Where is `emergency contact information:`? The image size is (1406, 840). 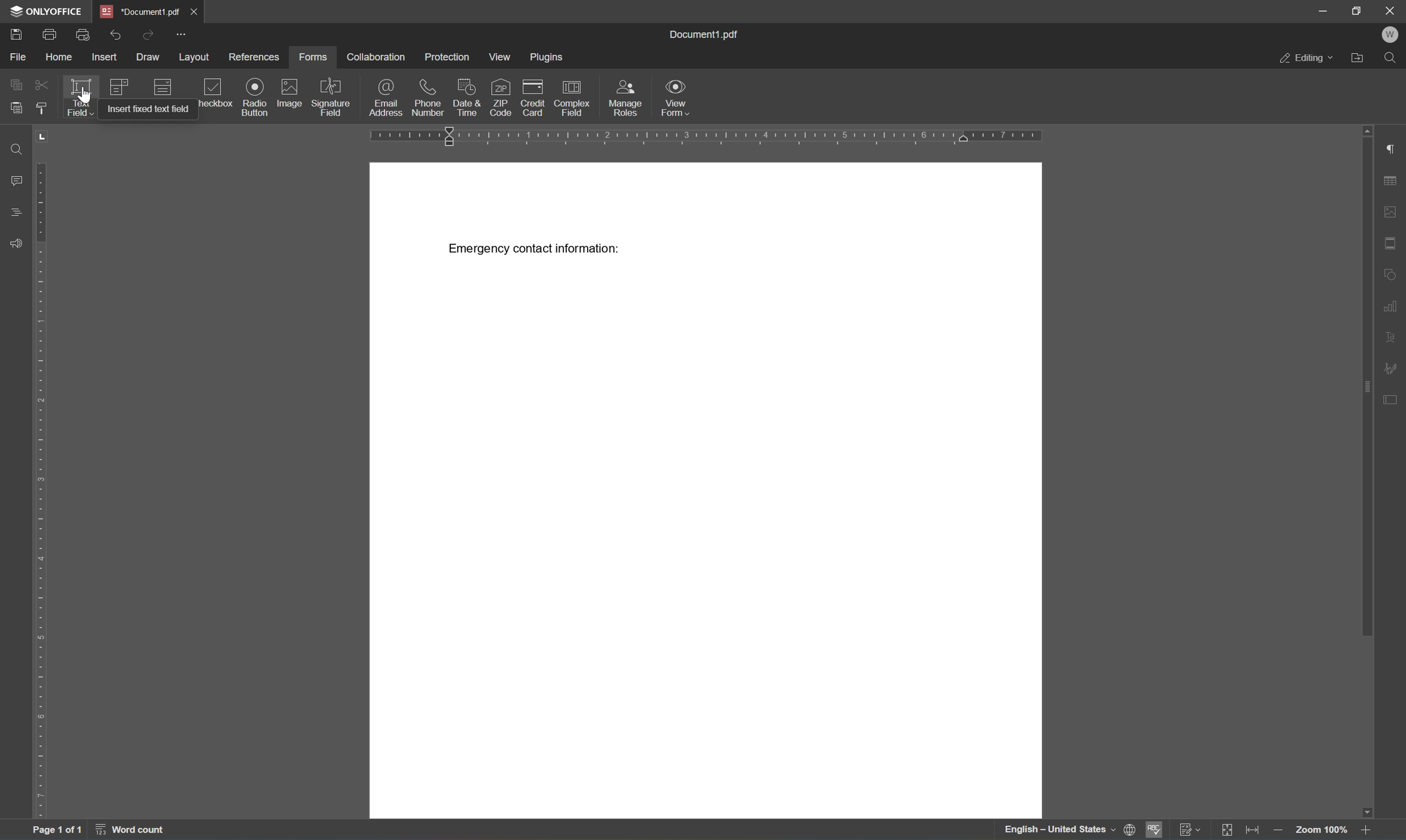
emergency contact information: is located at coordinates (531, 249).